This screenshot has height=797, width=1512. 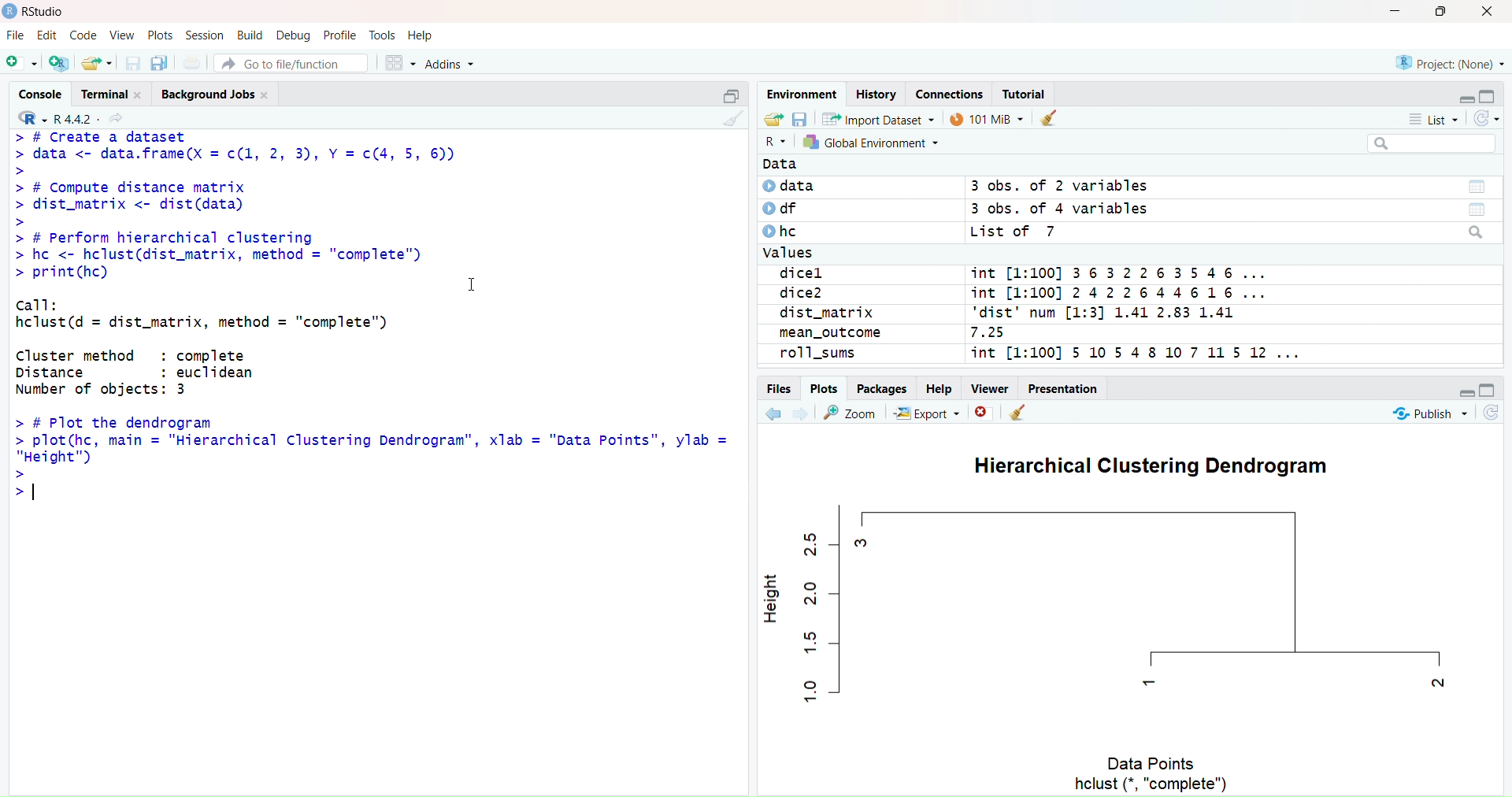 What do you see at coordinates (120, 117) in the screenshot?
I see ` View the current working directory` at bounding box center [120, 117].